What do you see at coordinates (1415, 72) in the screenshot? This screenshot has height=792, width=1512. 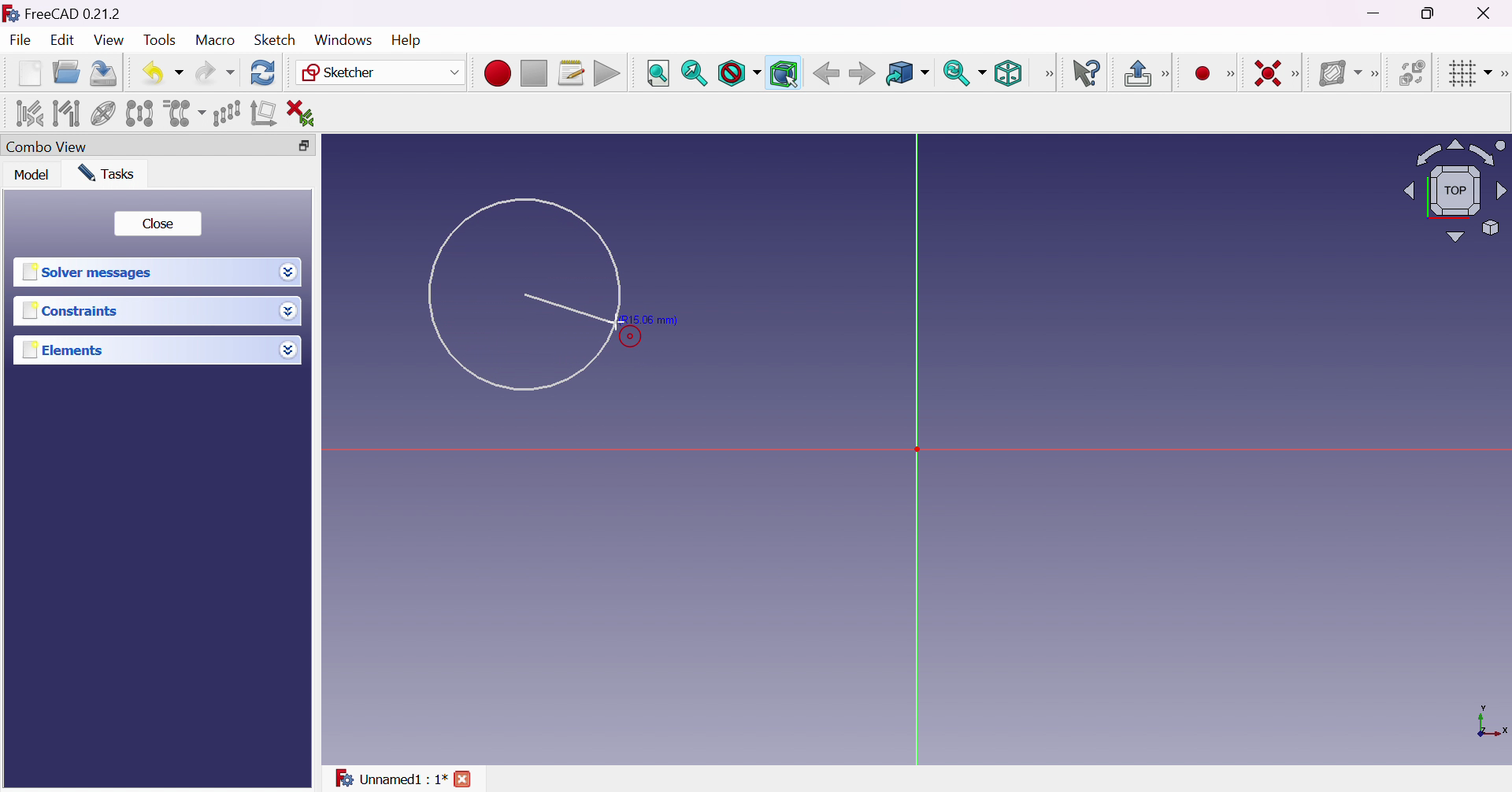 I see `Switch virtual space` at bounding box center [1415, 72].